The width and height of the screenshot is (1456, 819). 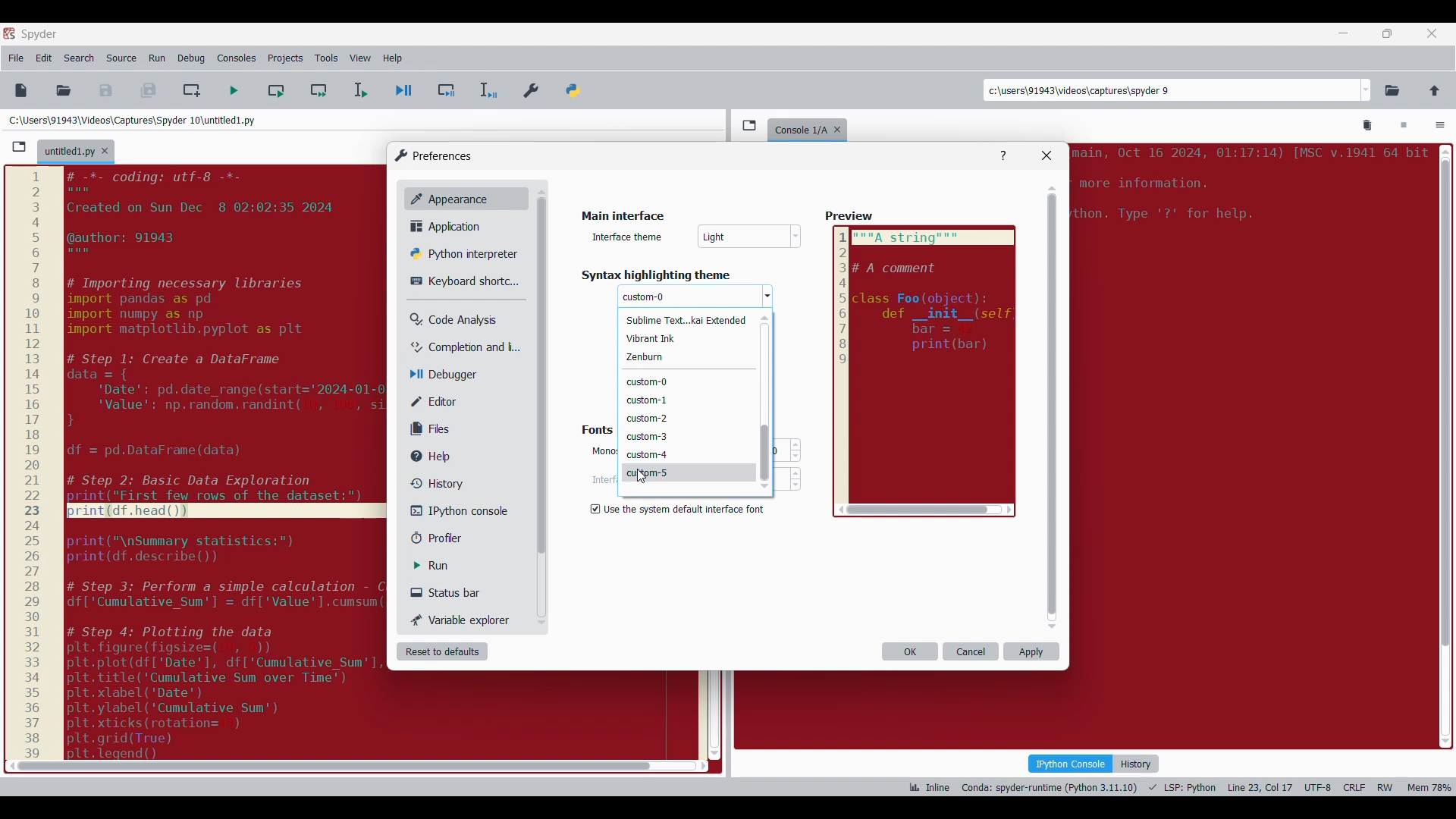 I want to click on Completion and linting, so click(x=456, y=347).